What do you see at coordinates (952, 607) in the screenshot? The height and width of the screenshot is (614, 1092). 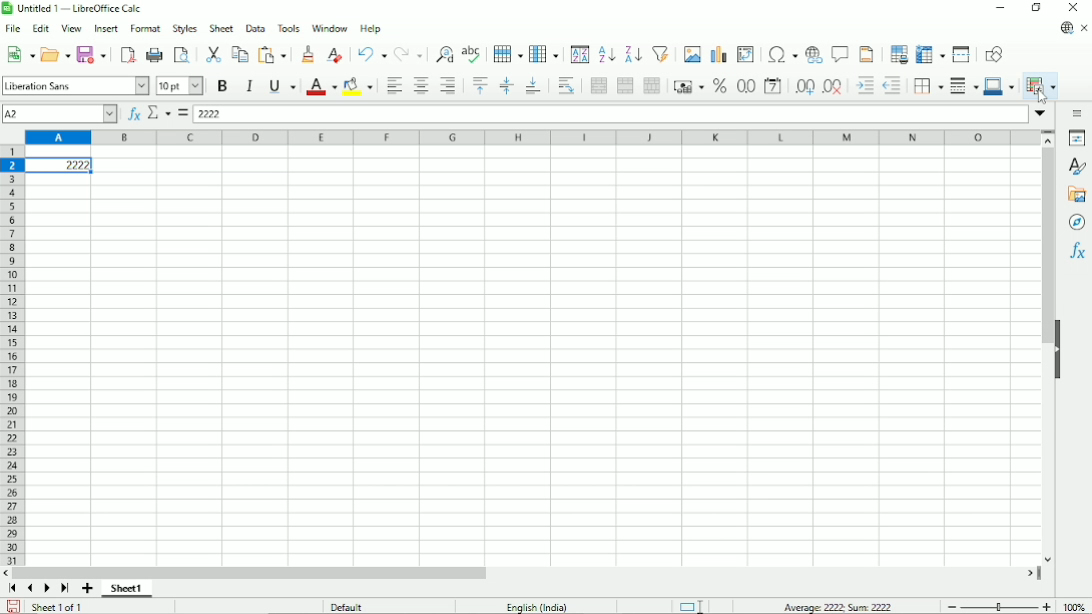 I see `zoom out` at bounding box center [952, 607].